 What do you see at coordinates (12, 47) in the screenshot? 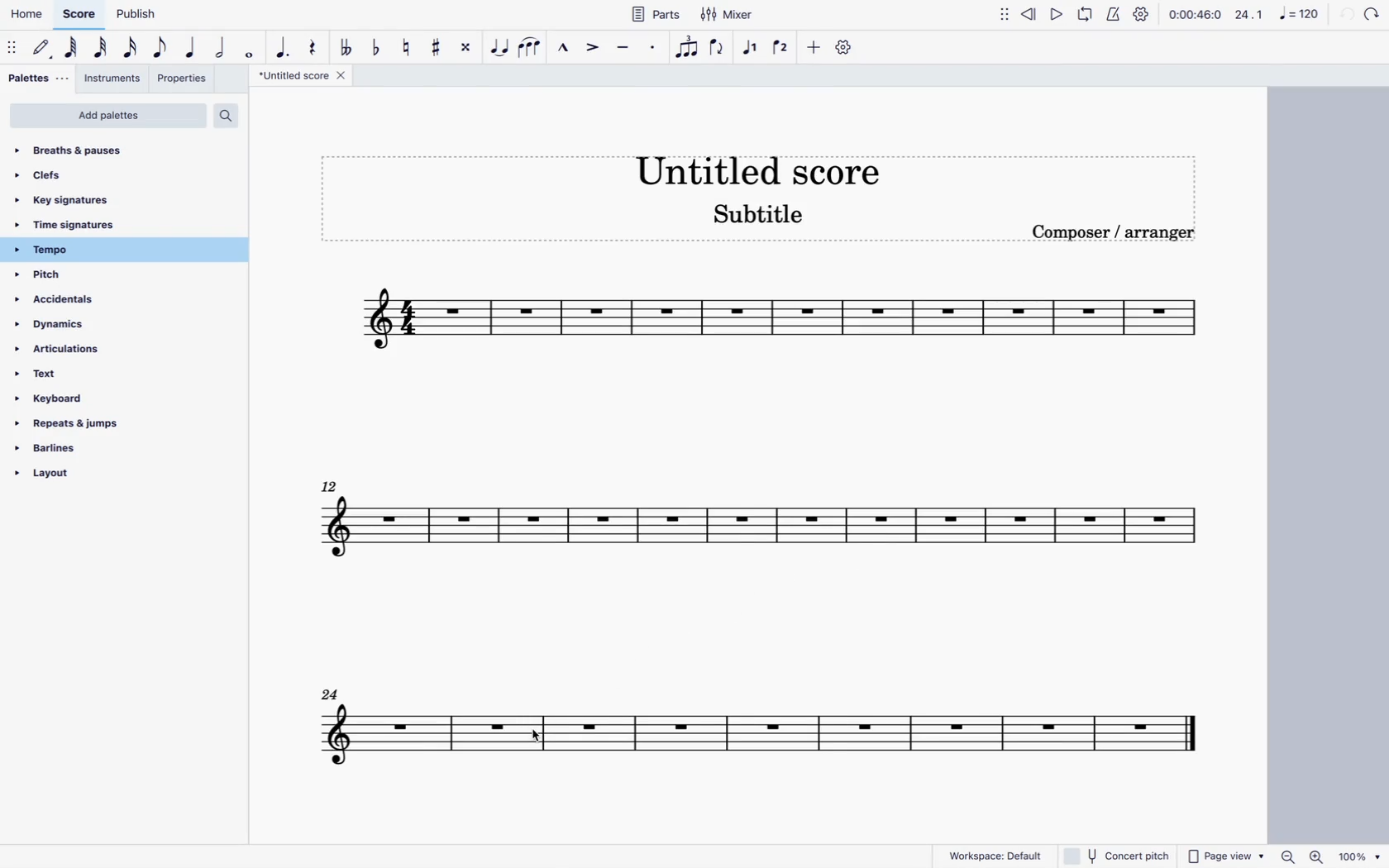
I see `move` at bounding box center [12, 47].